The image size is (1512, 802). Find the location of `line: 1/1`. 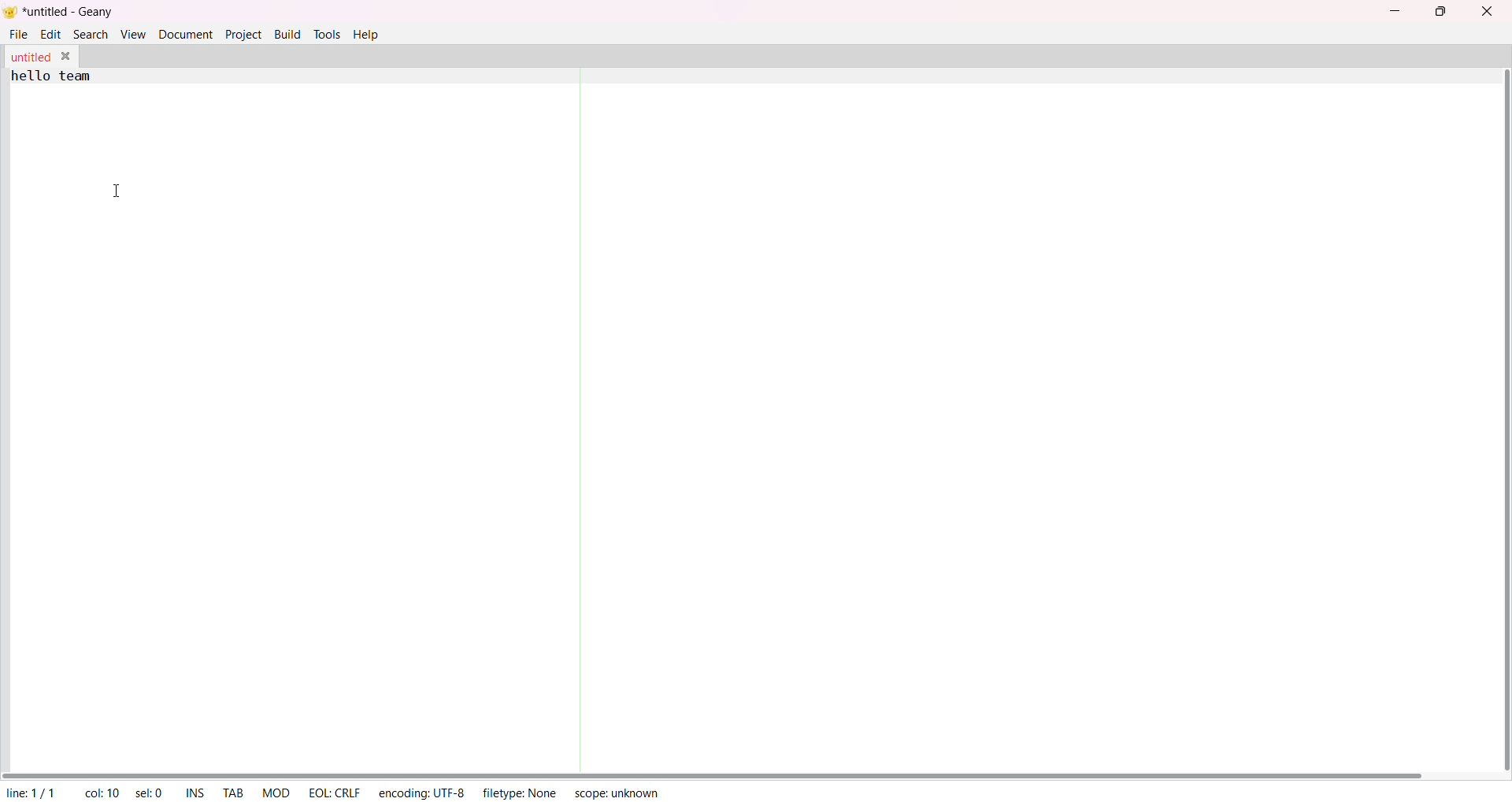

line: 1/1 is located at coordinates (30, 793).